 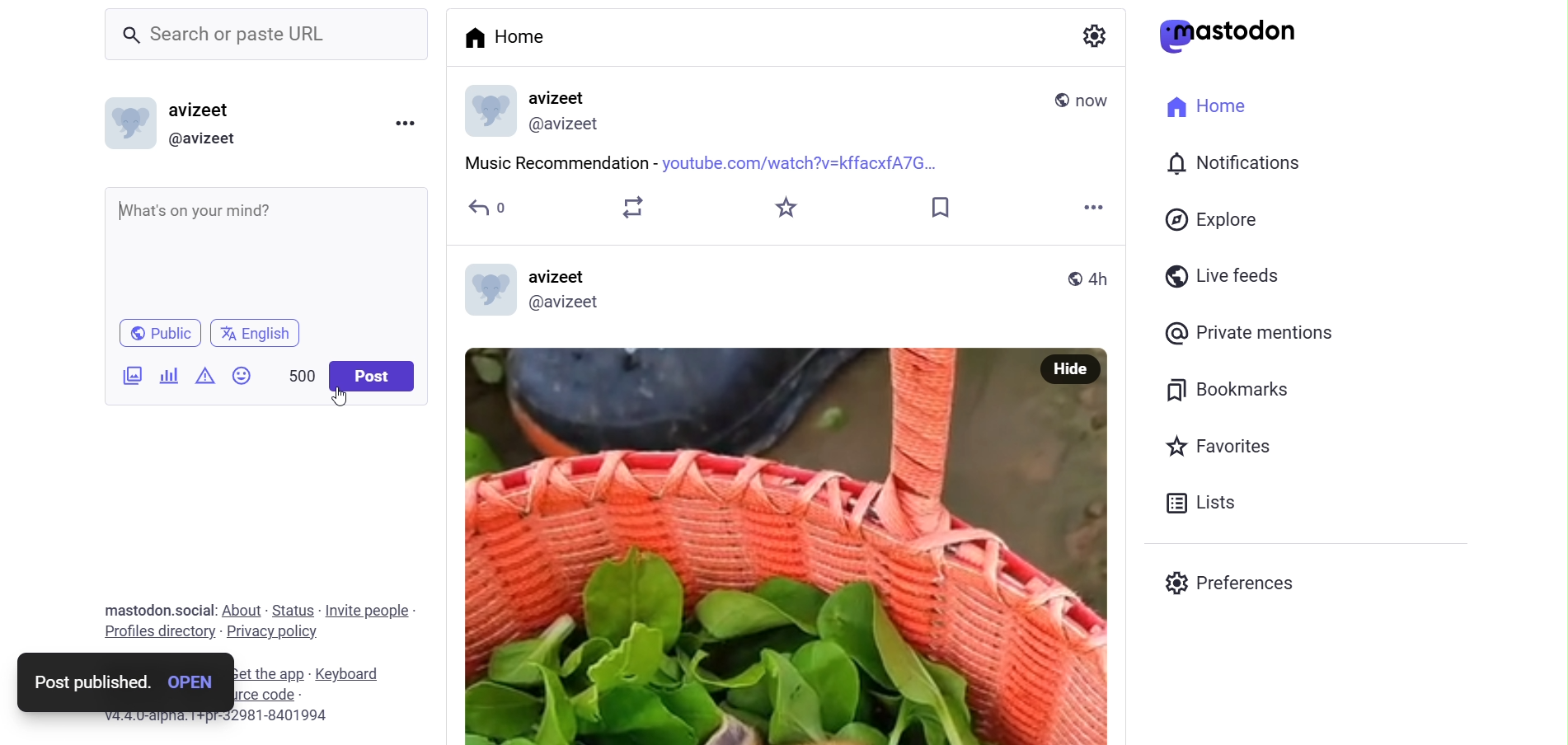 I want to click on 500, so click(x=293, y=370).